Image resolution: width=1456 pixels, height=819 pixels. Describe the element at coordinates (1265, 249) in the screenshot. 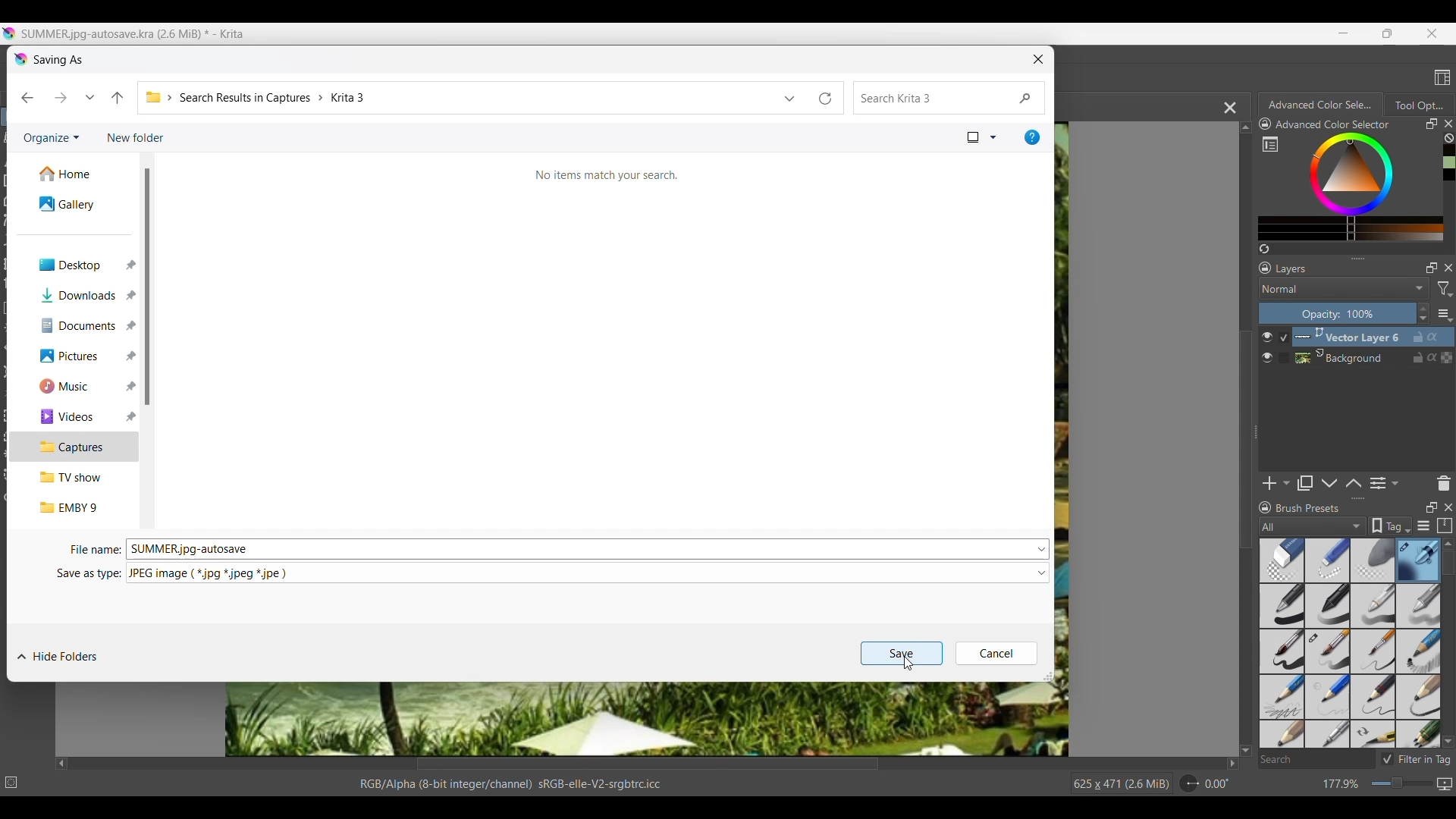

I see `Create a list of colors from the image` at that location.